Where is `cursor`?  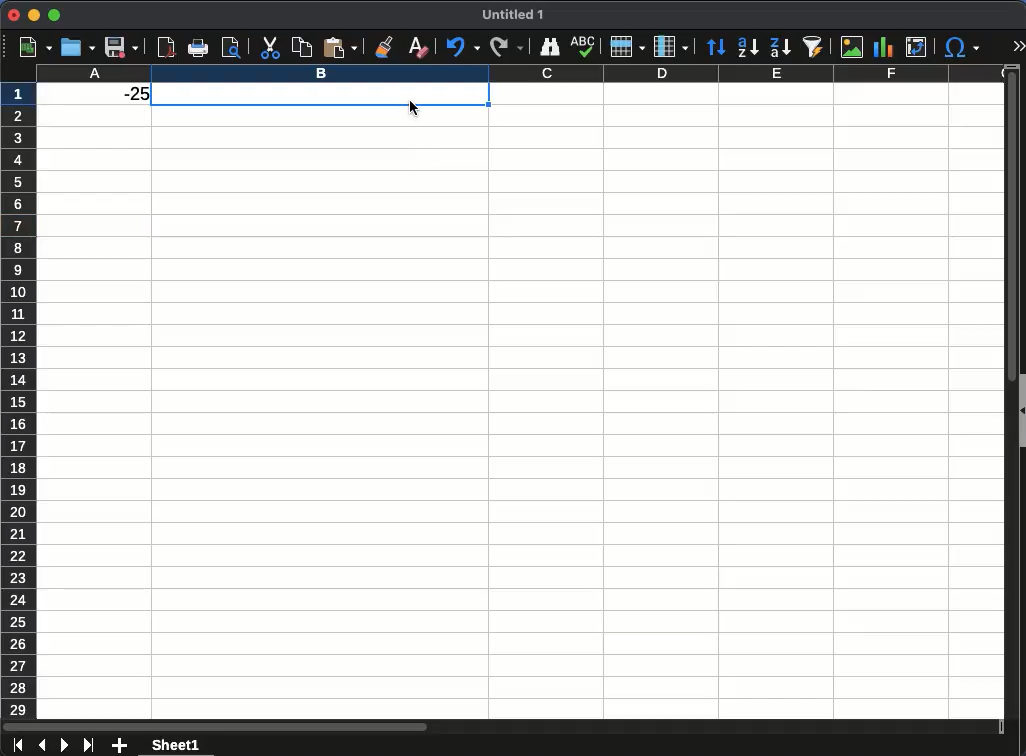
cursor is located at coordinates (416, 109).